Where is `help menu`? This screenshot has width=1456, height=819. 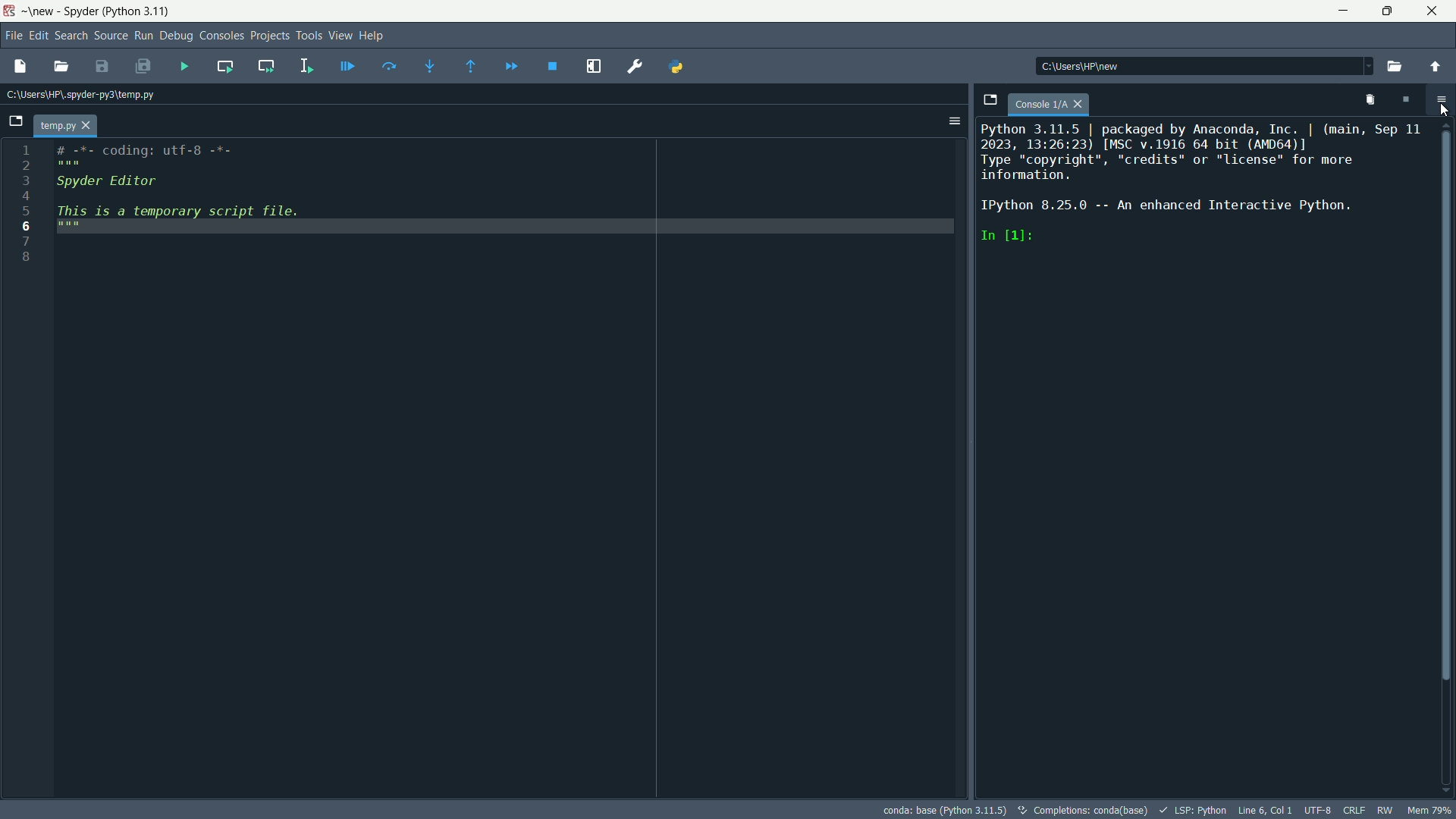 help menu is located at coordinates (372, 35).